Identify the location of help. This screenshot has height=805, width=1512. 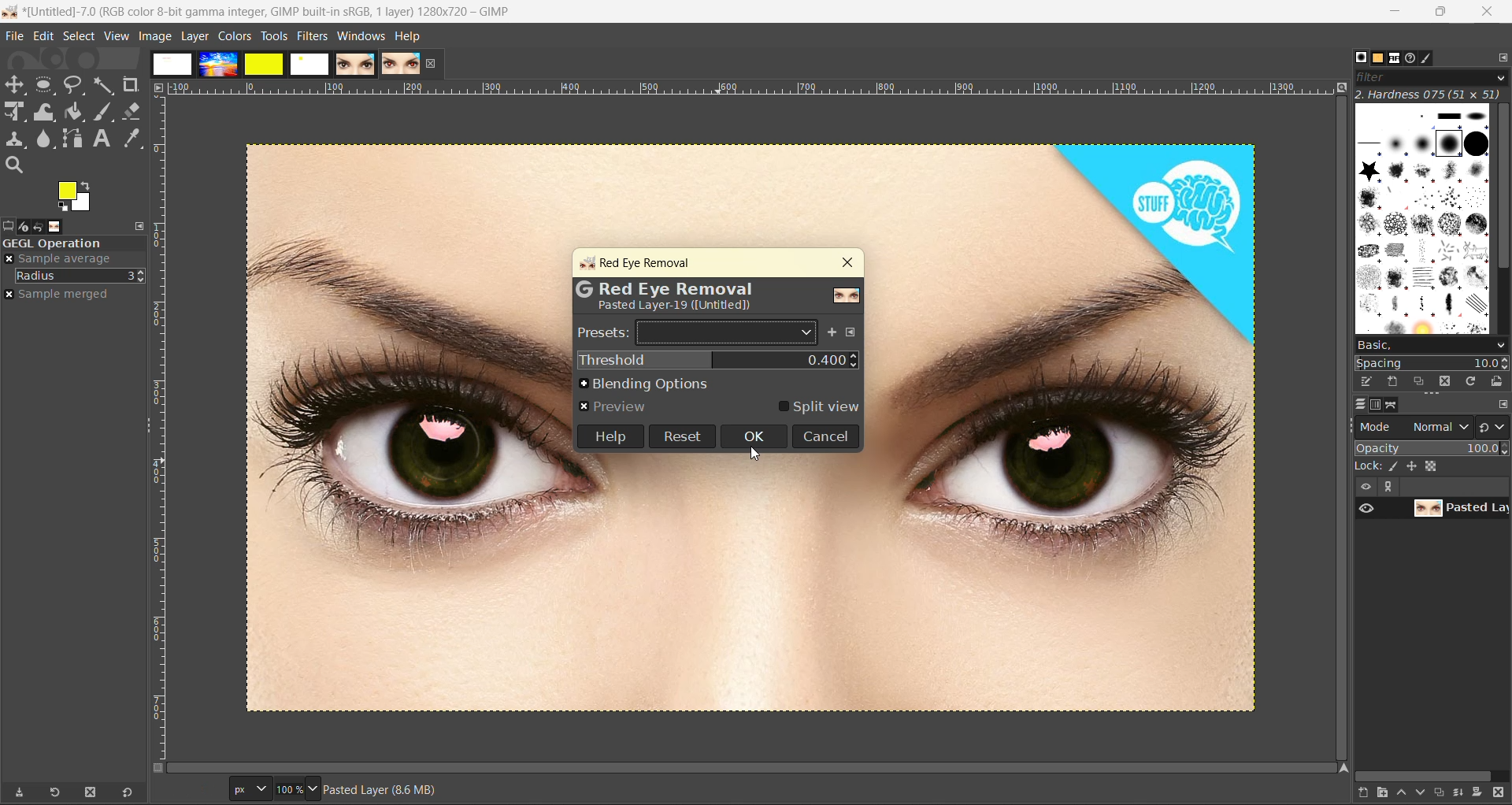
(409, 36).